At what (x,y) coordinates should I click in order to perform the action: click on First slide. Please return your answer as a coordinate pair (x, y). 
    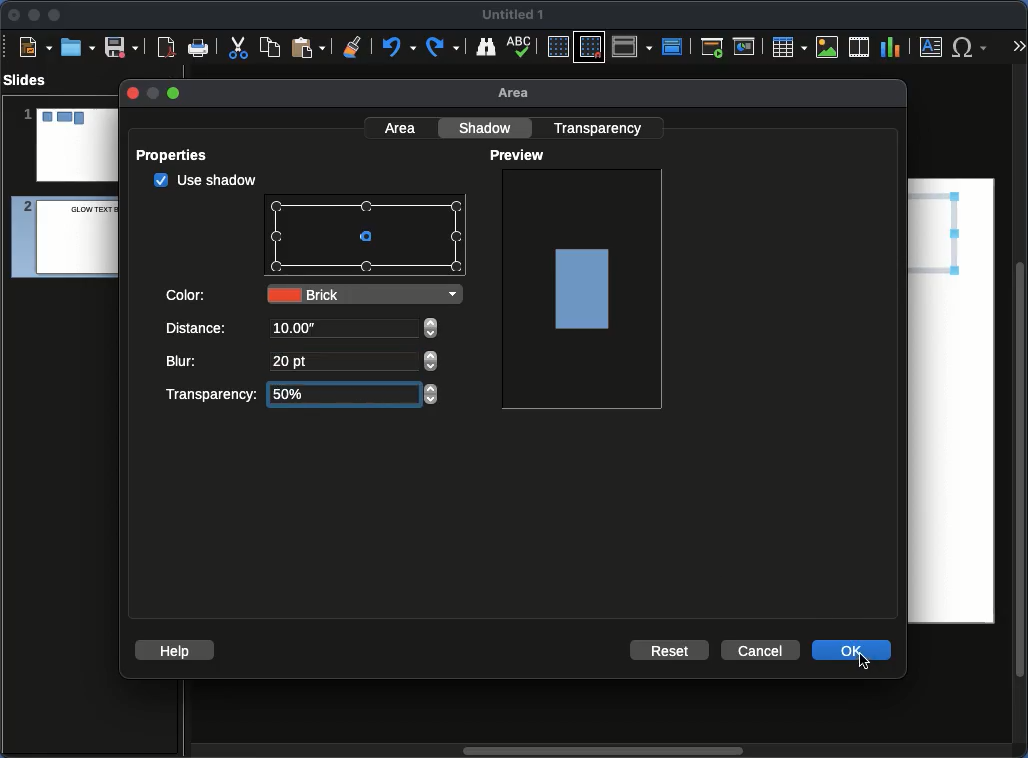
    Looking at the image, I should click on (712, 47).